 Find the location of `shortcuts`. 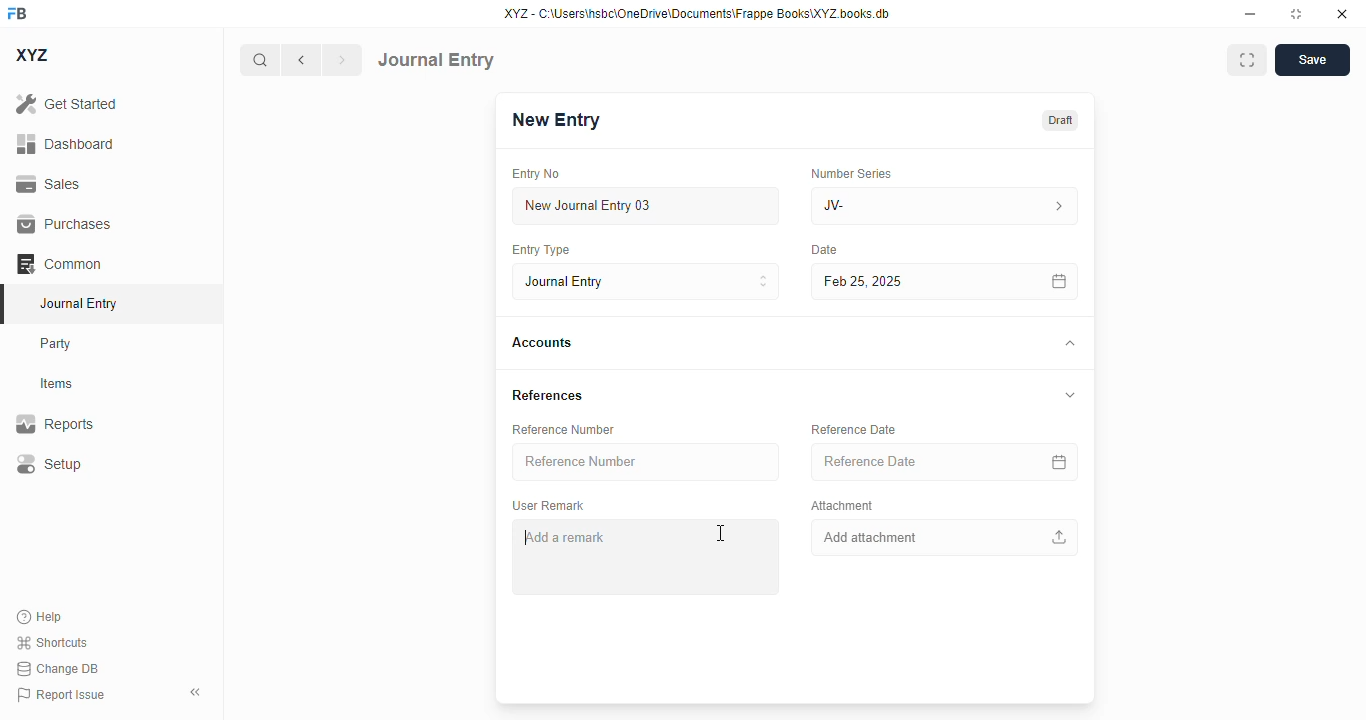

shortcuts is located at coordinates (51, 642).